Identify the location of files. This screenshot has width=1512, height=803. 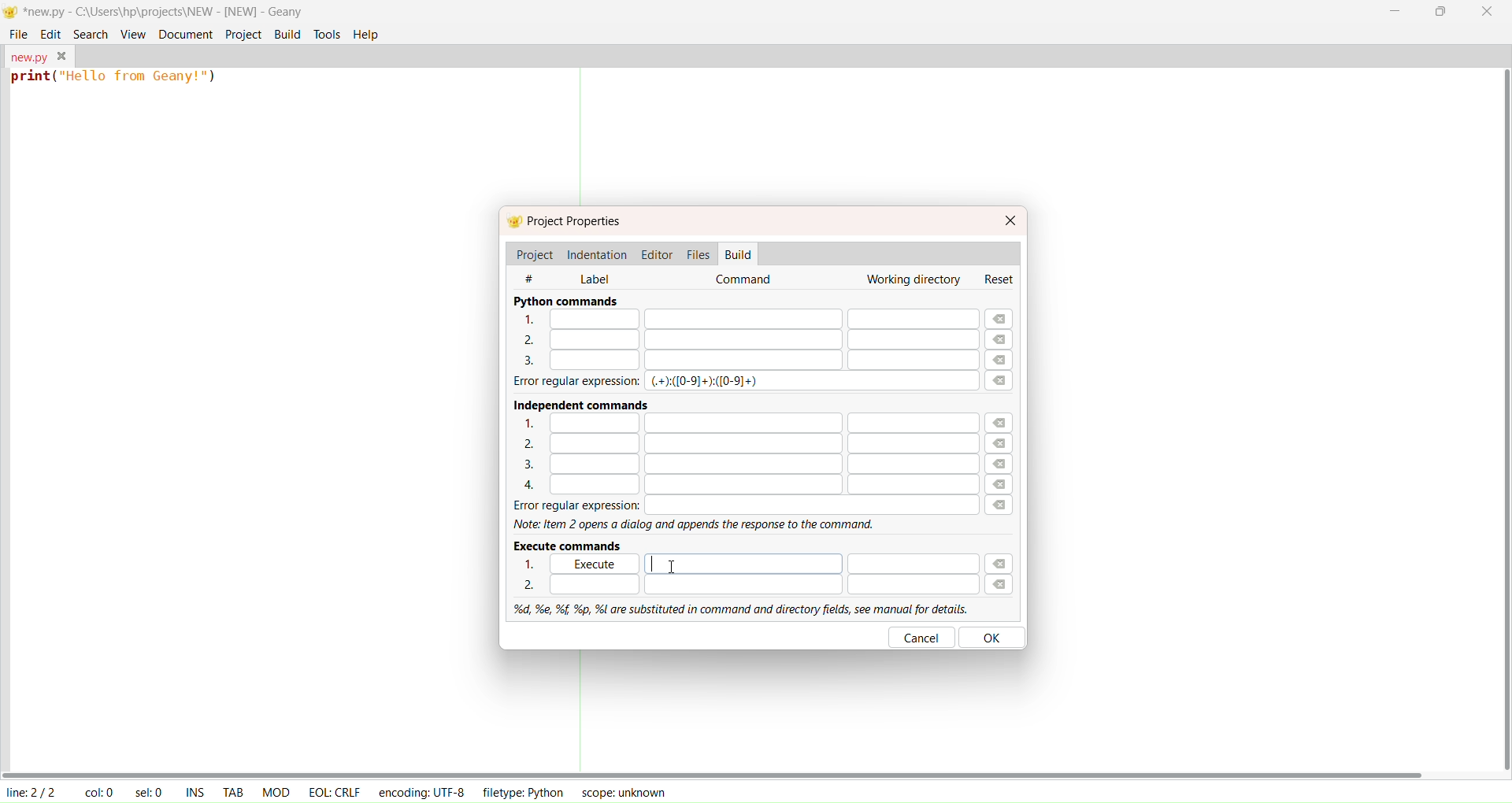
(698, 253).